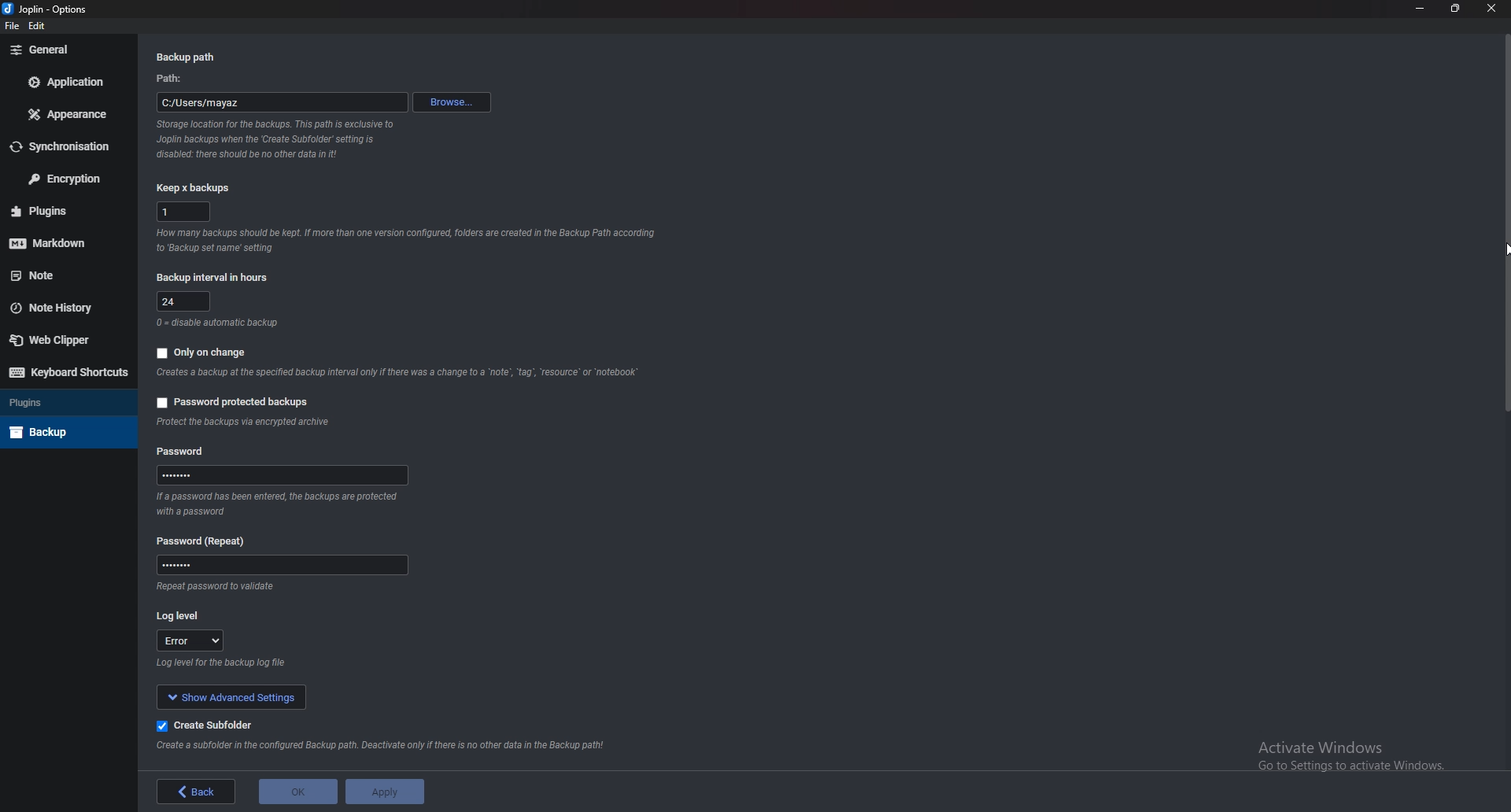 The image size is (1511, 812). I want to click on general, so click(64, 50).